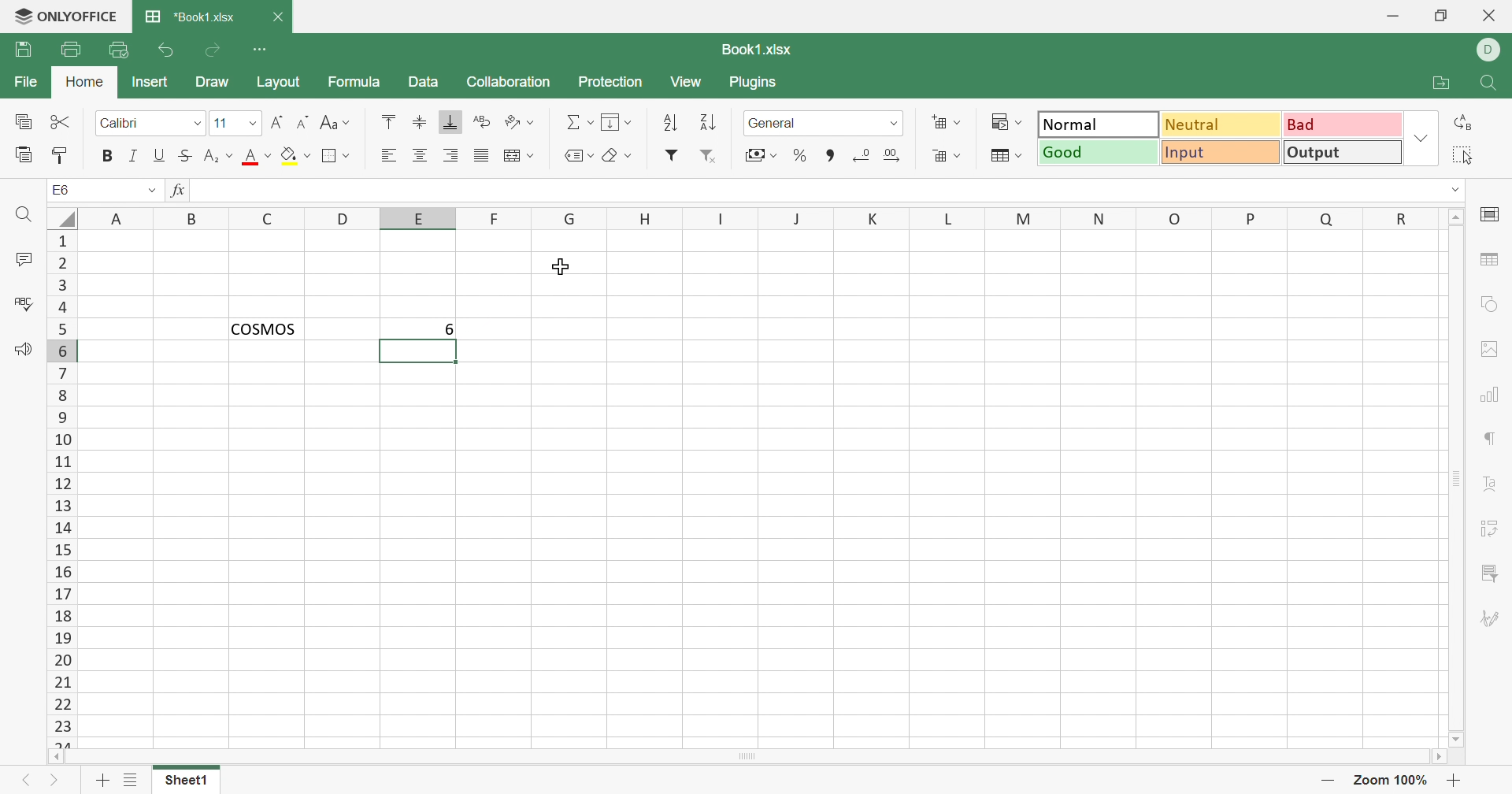 This screenshot has height=794, width=1512. What do you see at coordinates (1463, 121) in the screenshot?
I see `Replace` at bounding box center [1463, 121].